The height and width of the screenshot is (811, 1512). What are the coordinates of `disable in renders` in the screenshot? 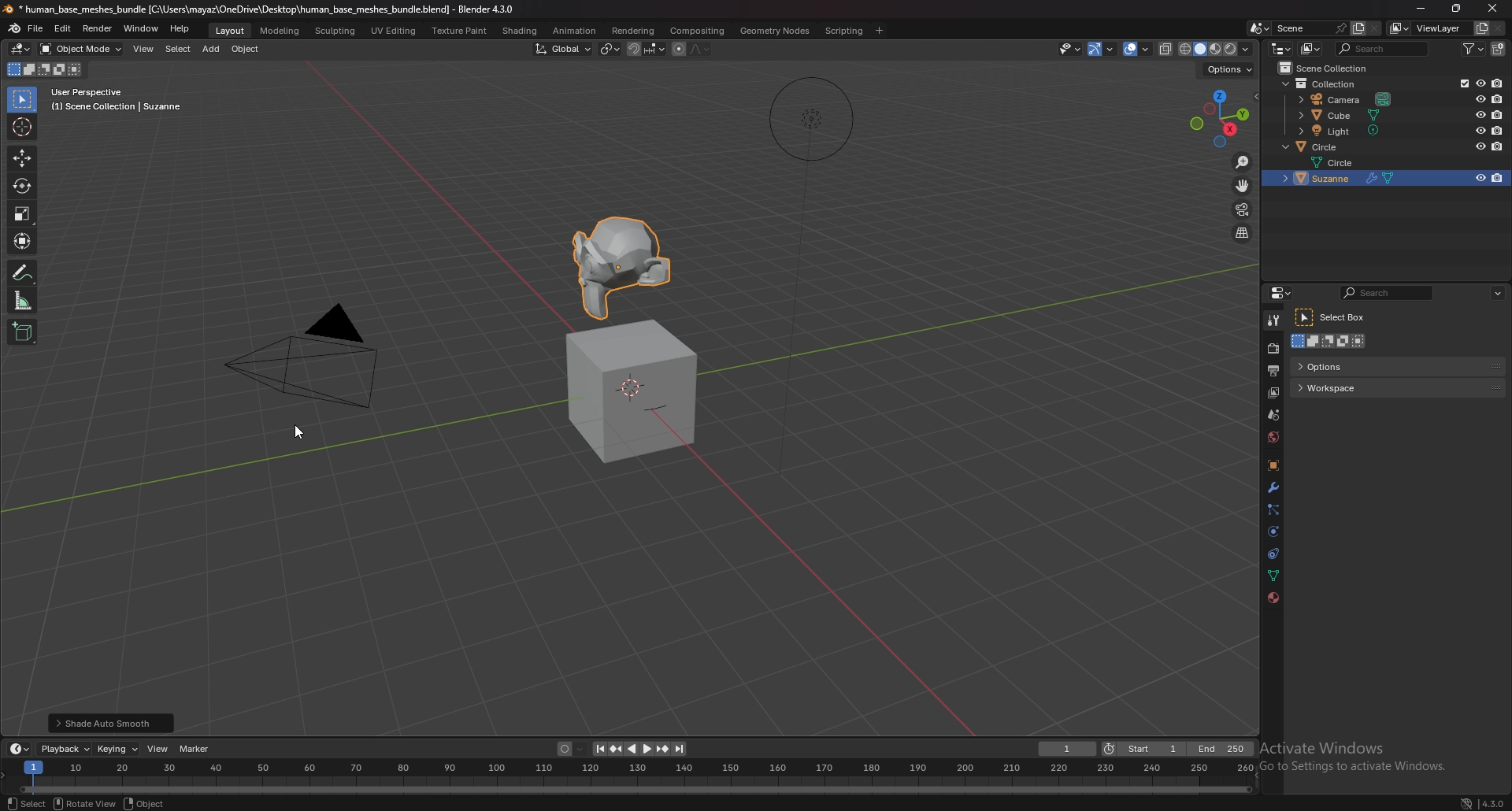 It's located at (1497, 179).